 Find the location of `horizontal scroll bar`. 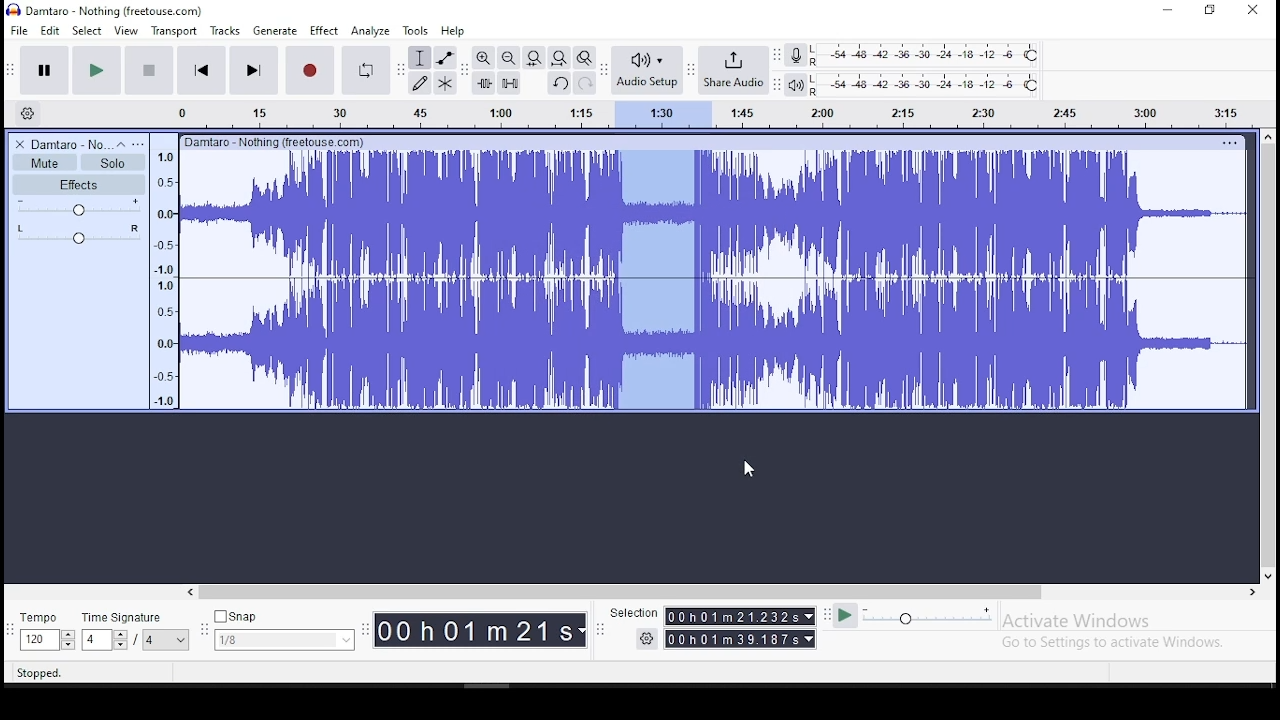

horizontal scroll bar is located at coordinates (720, 592).